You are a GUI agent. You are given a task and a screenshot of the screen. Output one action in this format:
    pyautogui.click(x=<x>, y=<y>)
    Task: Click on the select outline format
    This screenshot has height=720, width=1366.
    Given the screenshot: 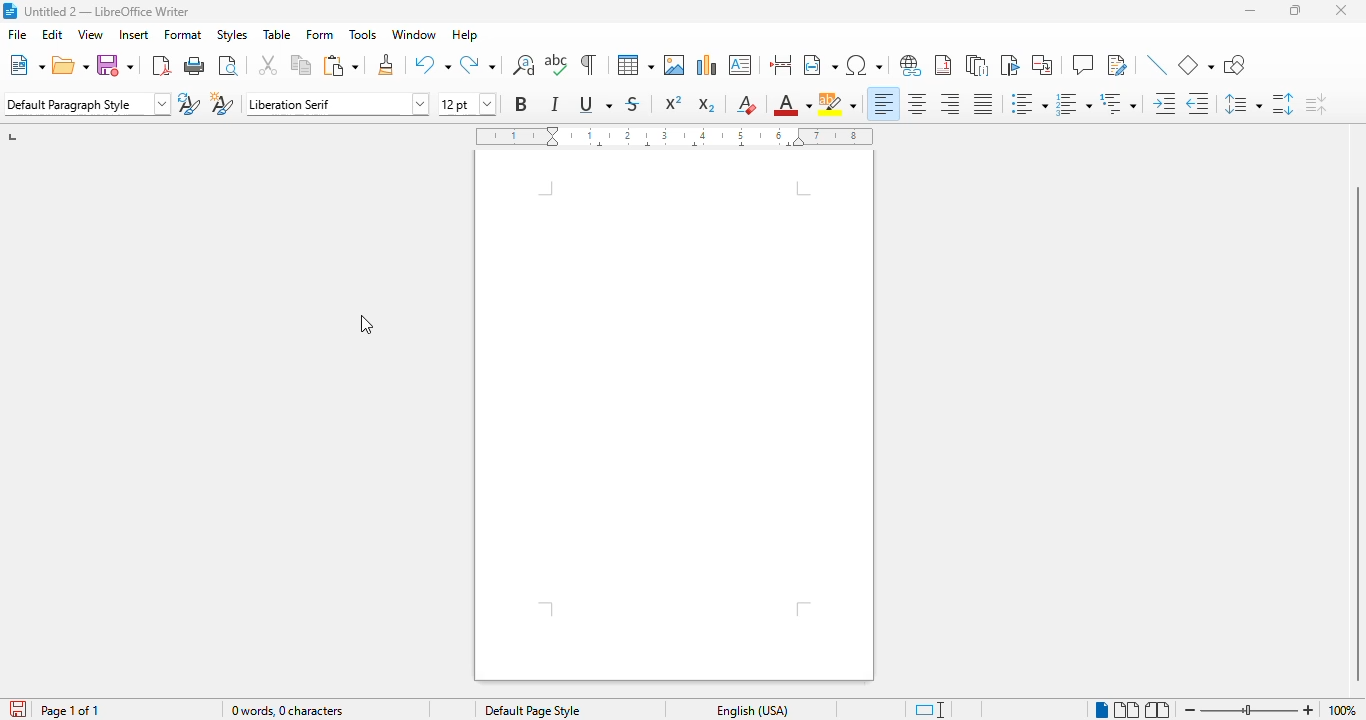 What is the action you would take?
    pyautogui.click(x=1118, y=104)
    